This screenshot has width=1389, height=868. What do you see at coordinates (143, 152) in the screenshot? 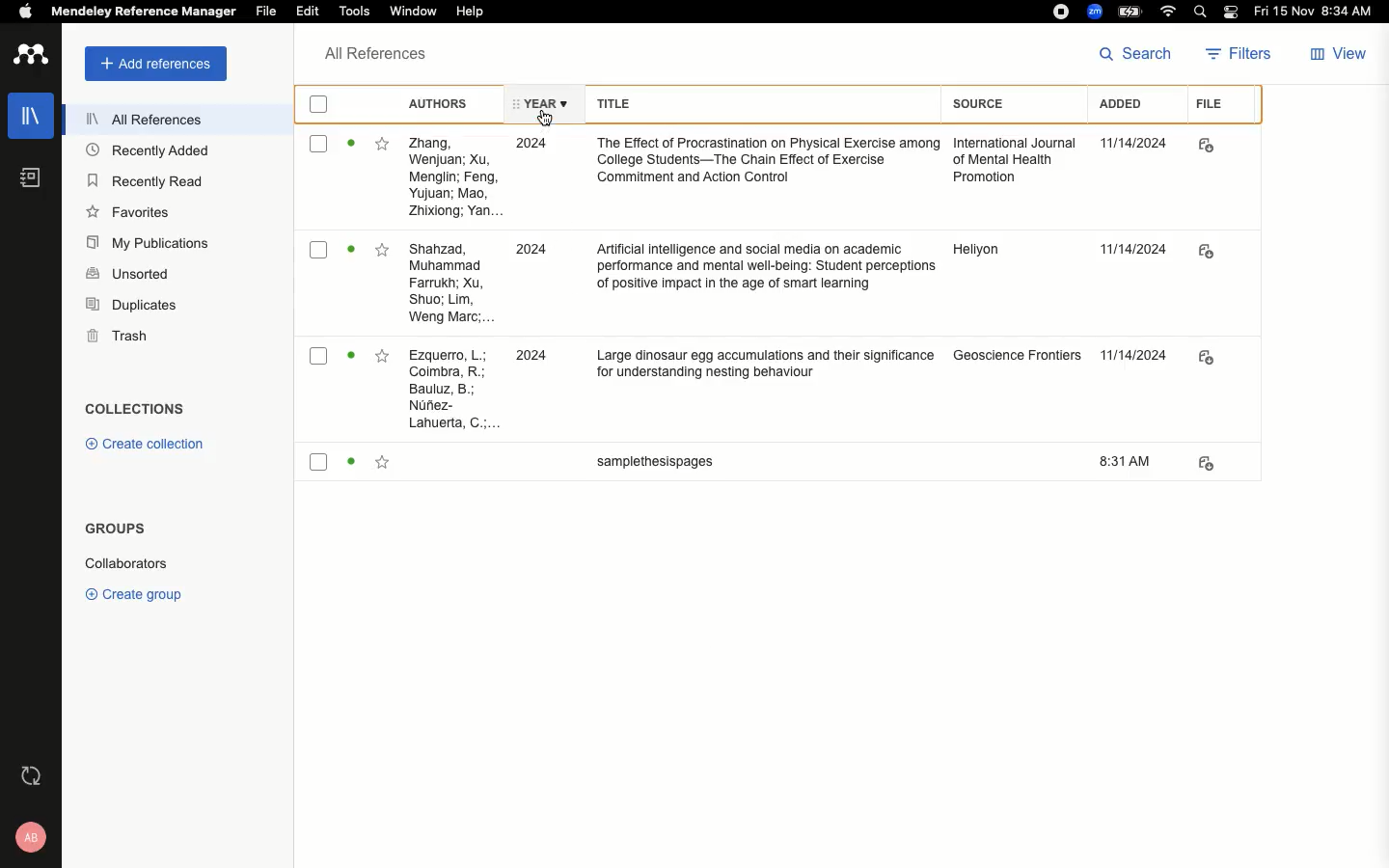
I see `Recently added` at bounding box center [143, 152].